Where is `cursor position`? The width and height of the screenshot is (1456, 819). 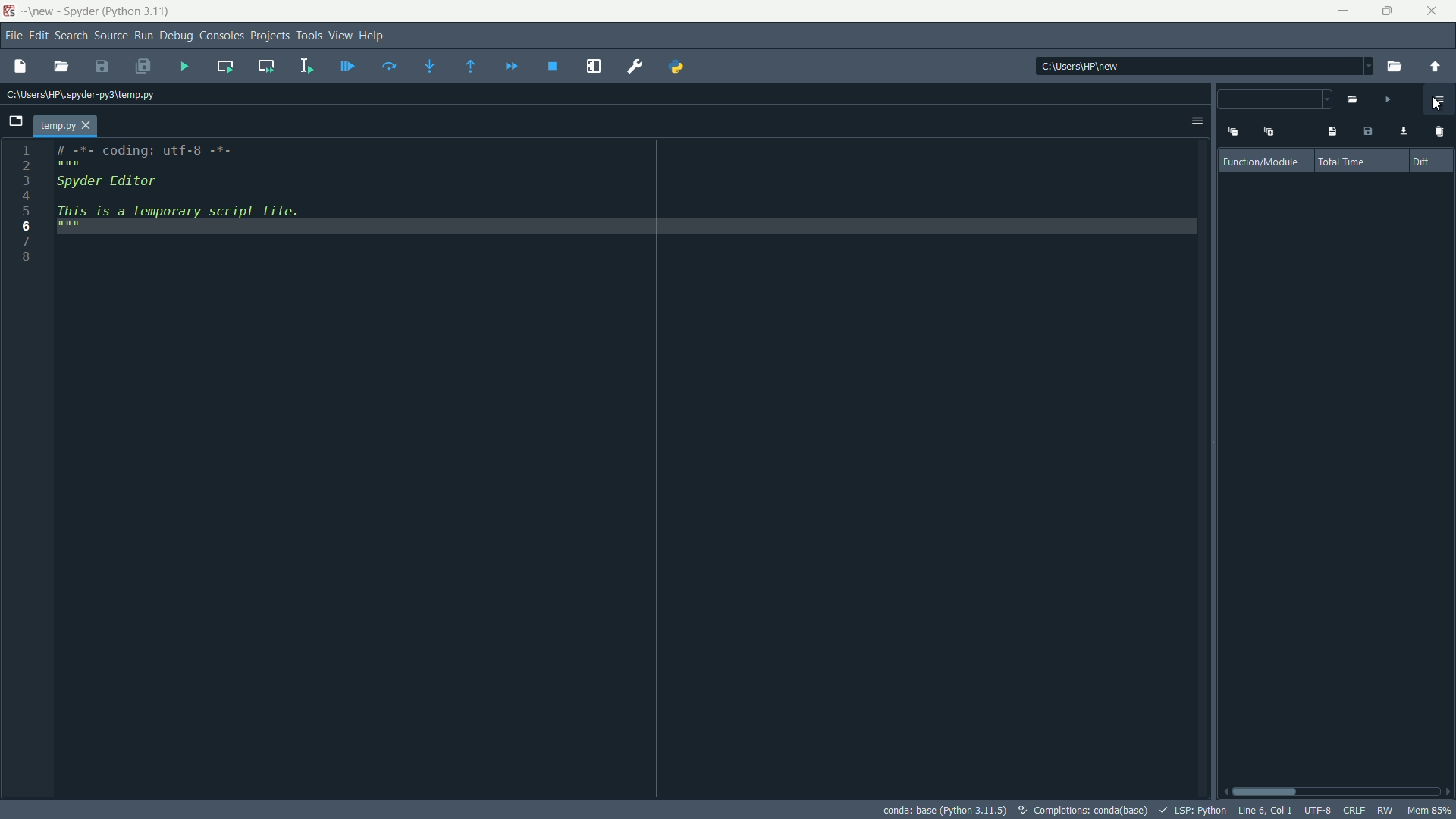 cursor position is located at coordinates (1263, 811).